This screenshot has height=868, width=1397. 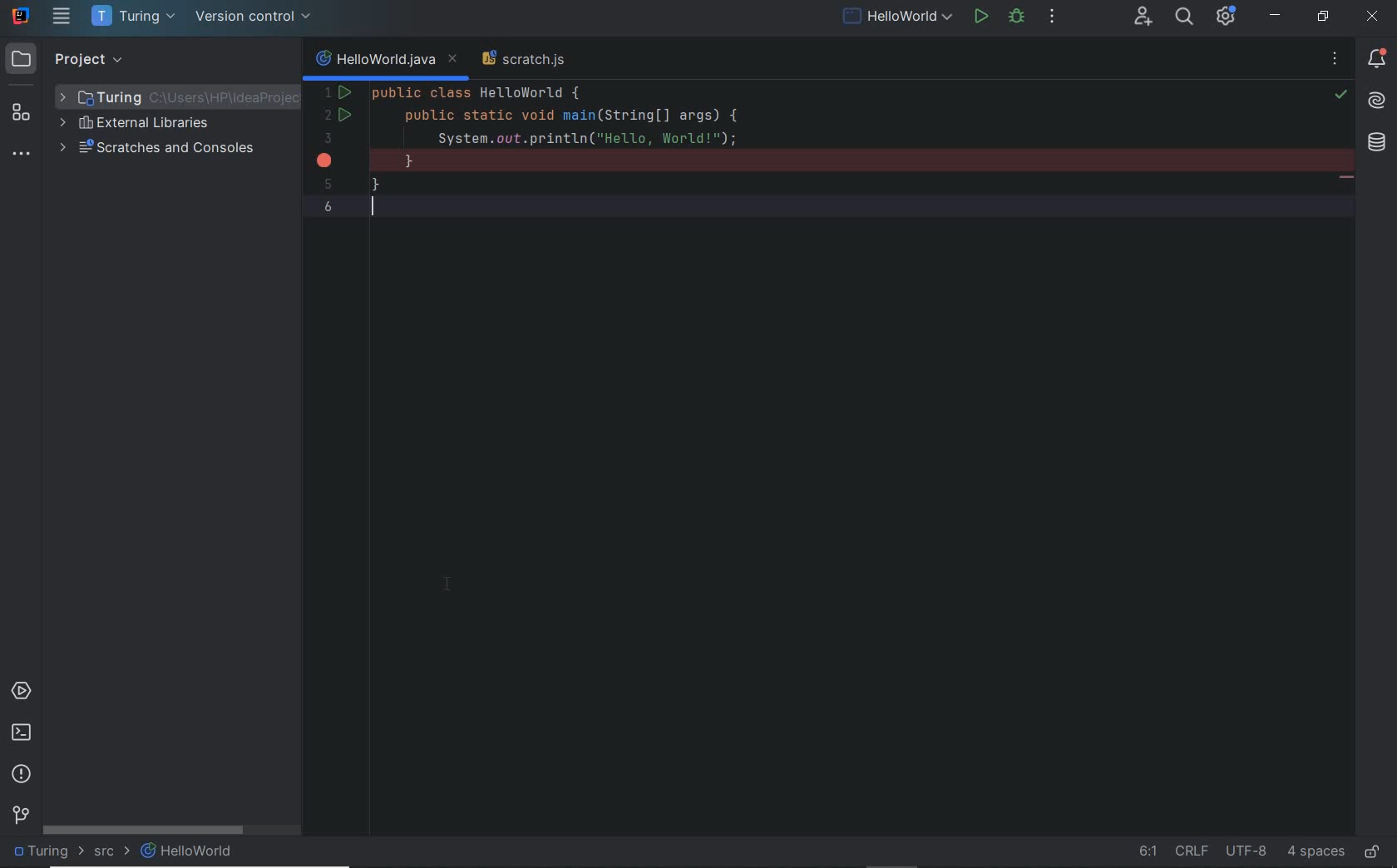 What do you see at coordinates (1346, 180) in the screenshot?
I see `string` at bounding box center [1346, 180].